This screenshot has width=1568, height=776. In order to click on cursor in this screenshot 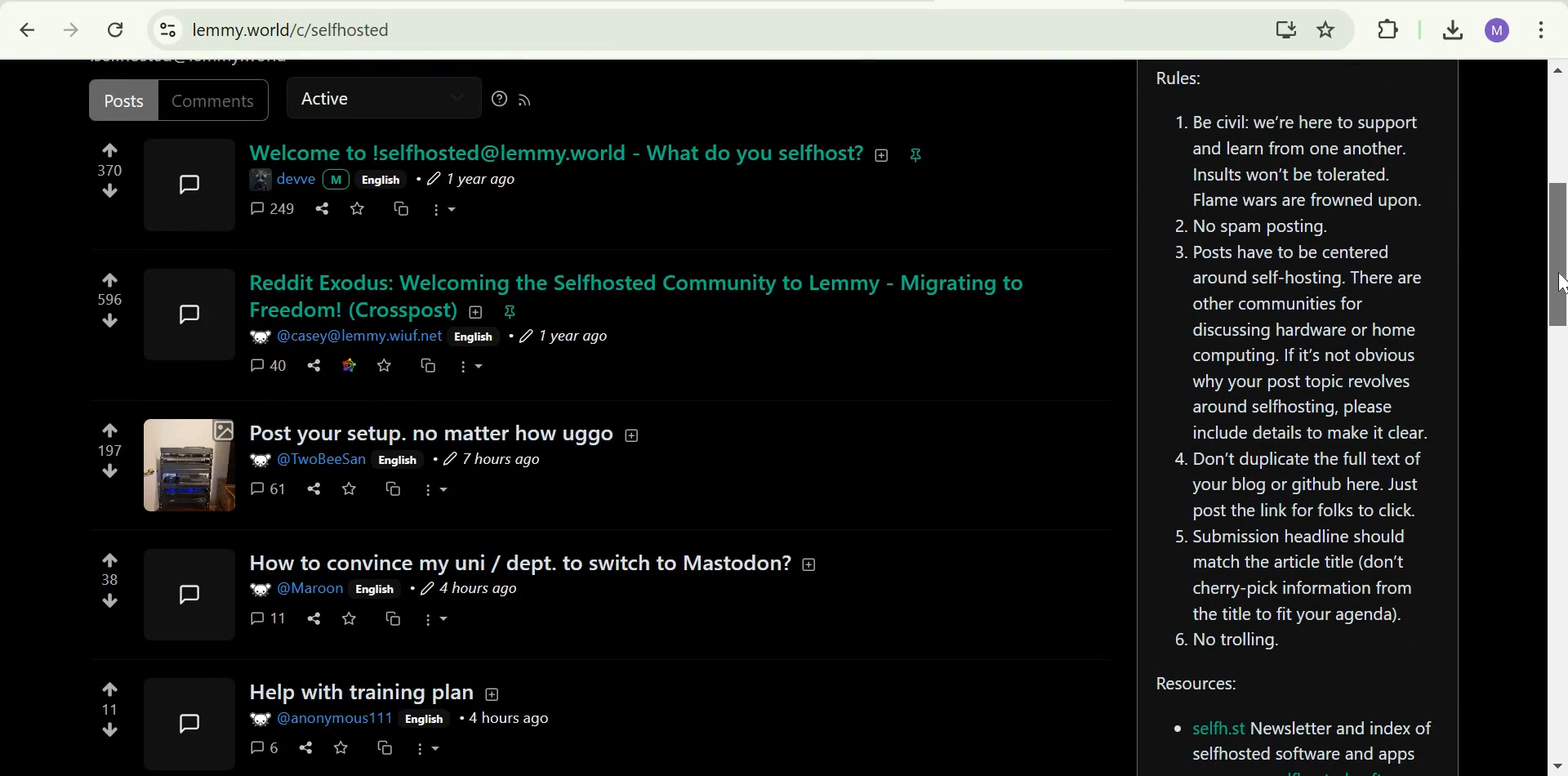, I will do `click(1558, 280)`.